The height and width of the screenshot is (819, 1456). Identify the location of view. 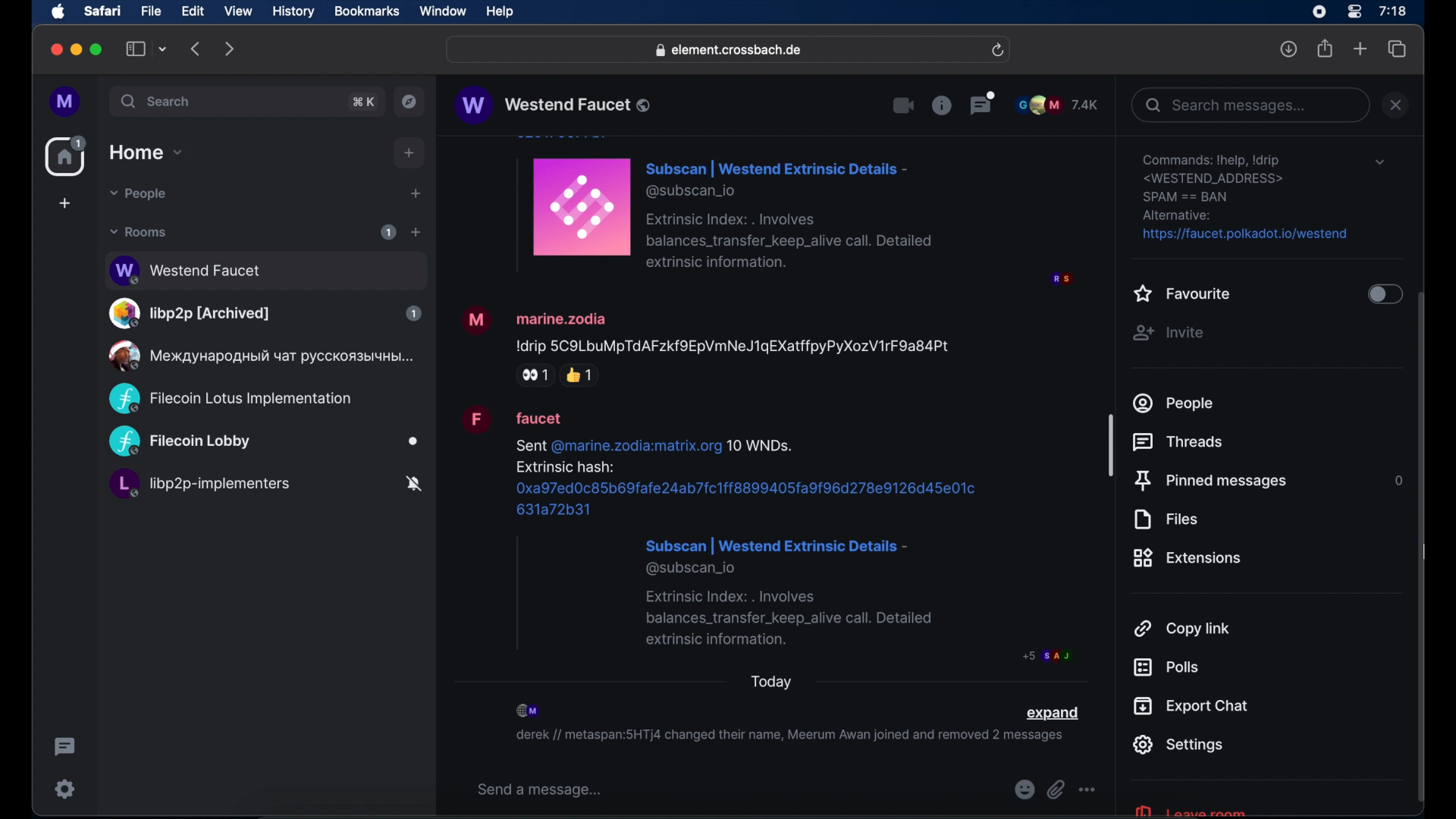
(237, 11).